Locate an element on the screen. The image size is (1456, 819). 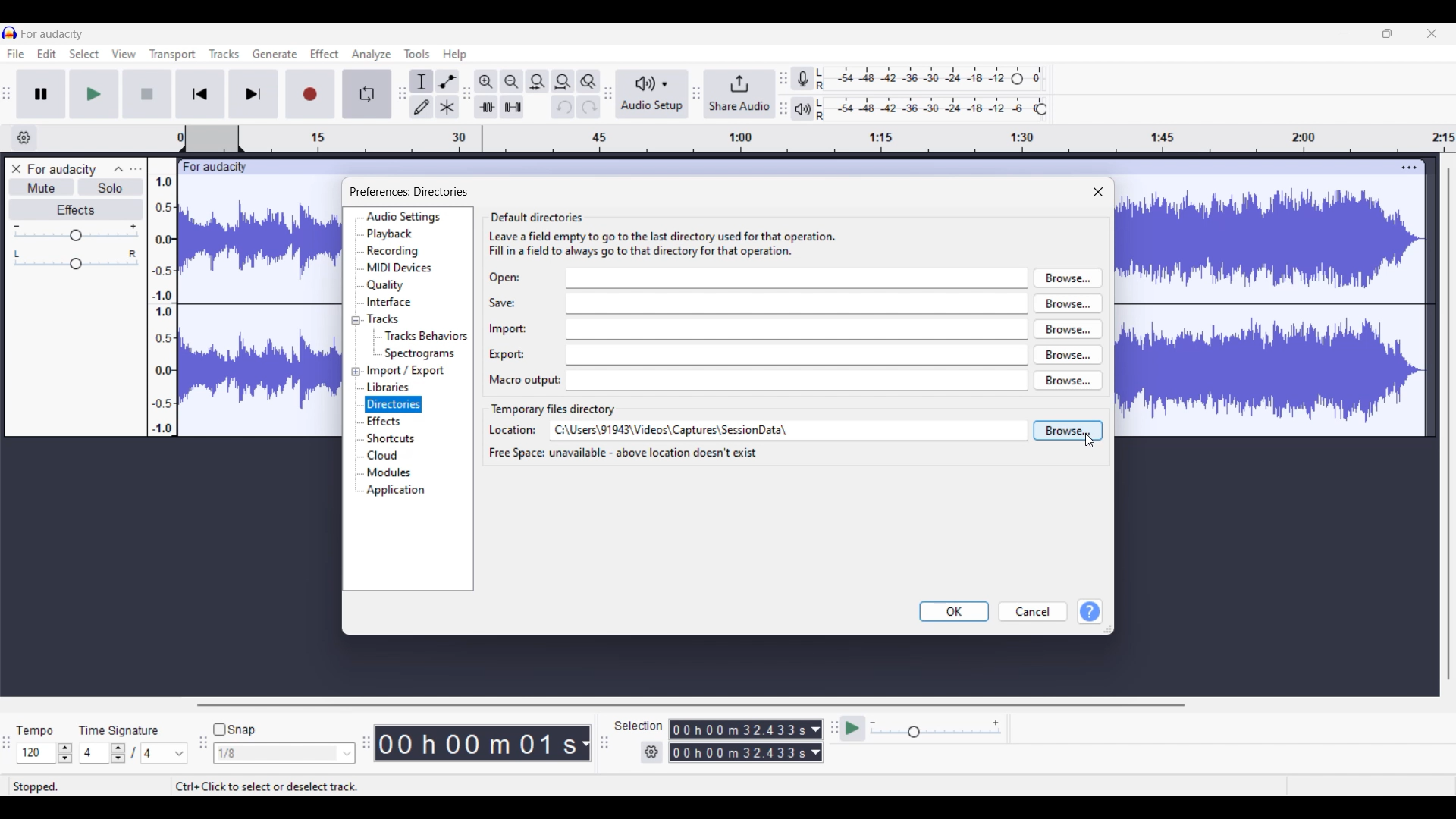
Timeline options is located at coordinates (24, 138).